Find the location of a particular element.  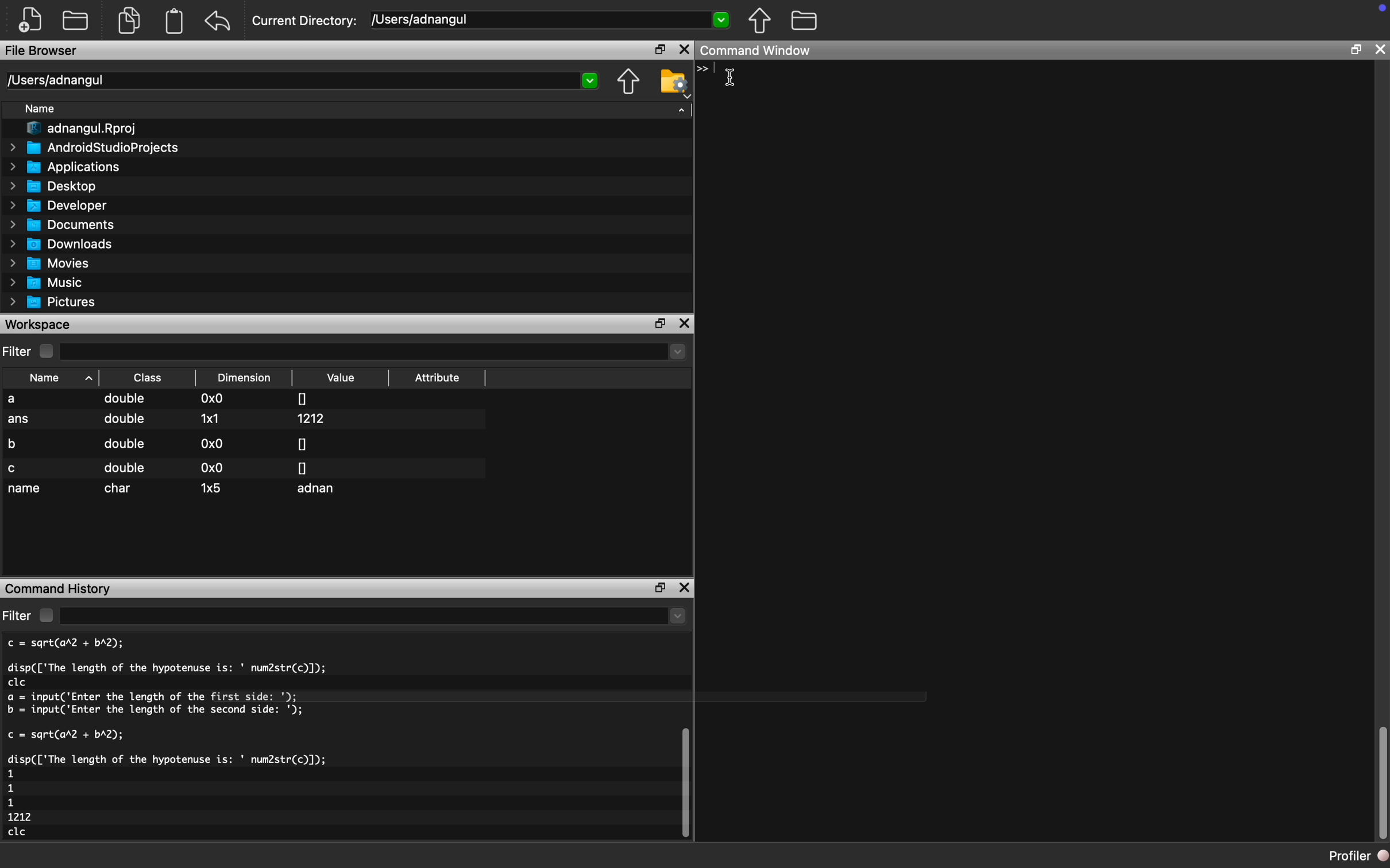

c = sqrt(arl + bA2);

disp(['The length of the hypotenuse is: ' num2str(c)]);
clc

a = input('Enter the length of the first side: ');

b = input('Enter the length of the second side: ');

c = sqrt(ar2 + bA2);

disp(['The length of the hypotenuse is: ' num2str(c)]);
1

1

1

1212

clc is located at coordinates (204, 741).